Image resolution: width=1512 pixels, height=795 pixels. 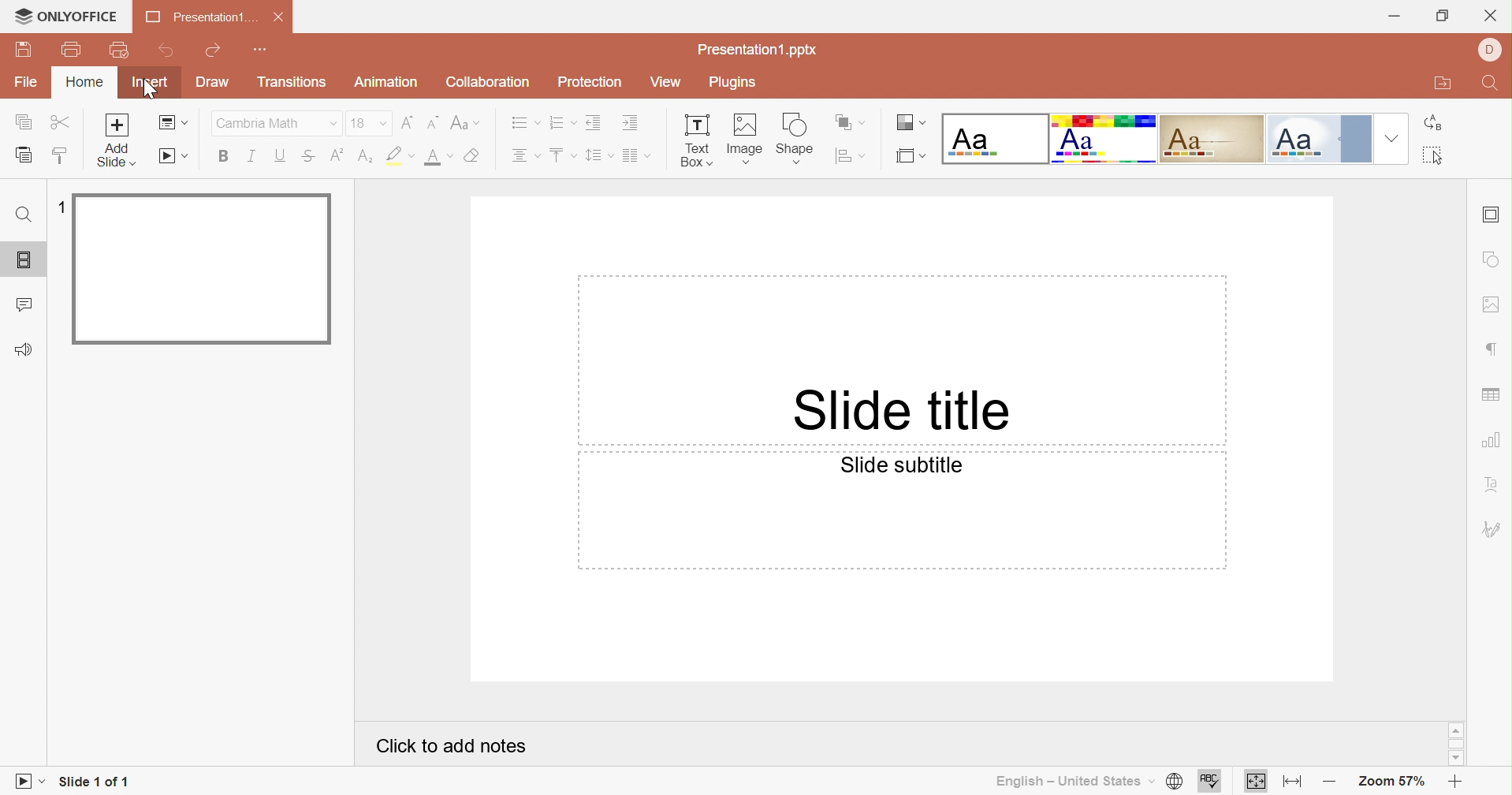 What do you see at coordinates (594, 84) in the screenshot?
I see `Protection` at bounding box center [594, 84].